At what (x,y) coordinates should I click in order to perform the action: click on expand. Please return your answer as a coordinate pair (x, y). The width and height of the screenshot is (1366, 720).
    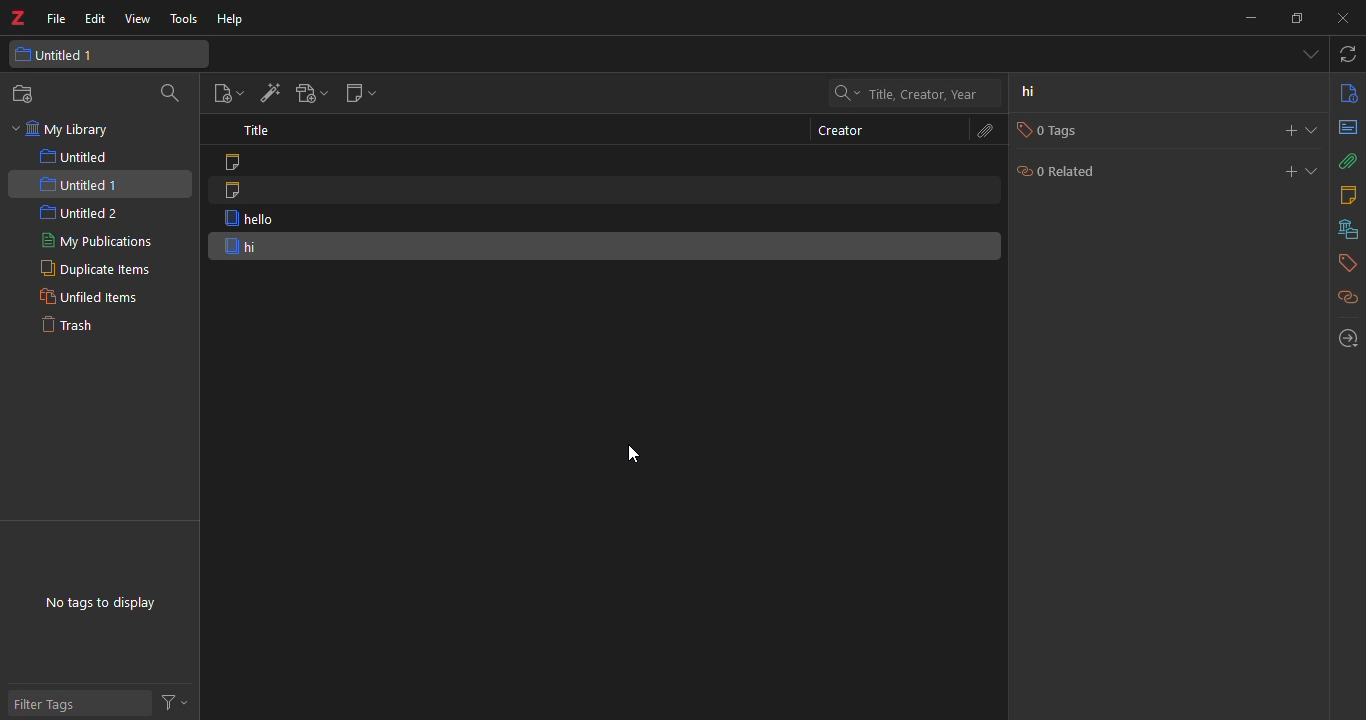
    Looking at the image, I should click on (1313, 130).